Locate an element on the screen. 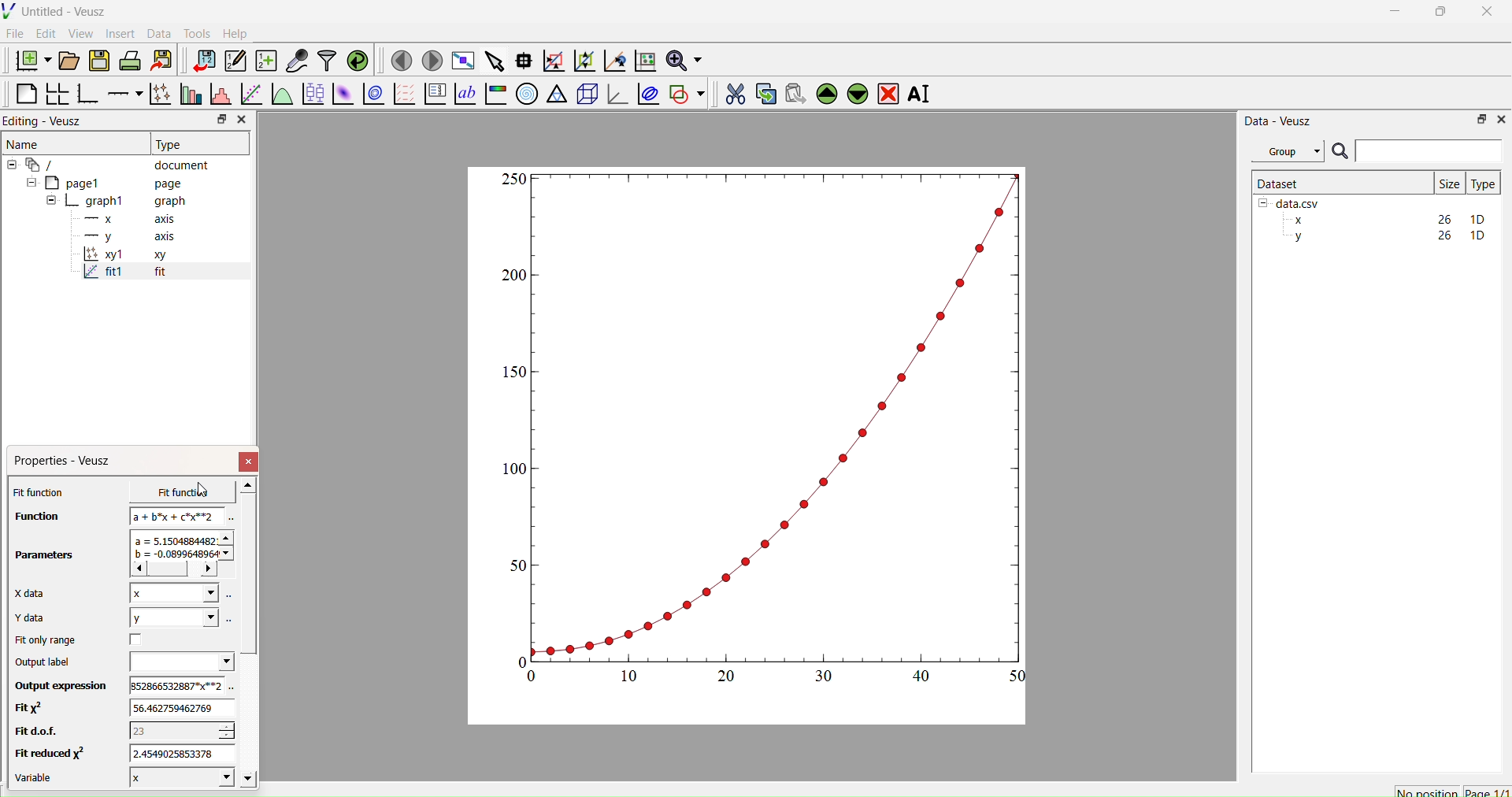 This screenshot has width=1512, height=797. Plot bar charts is located at coordinates (189, 95).